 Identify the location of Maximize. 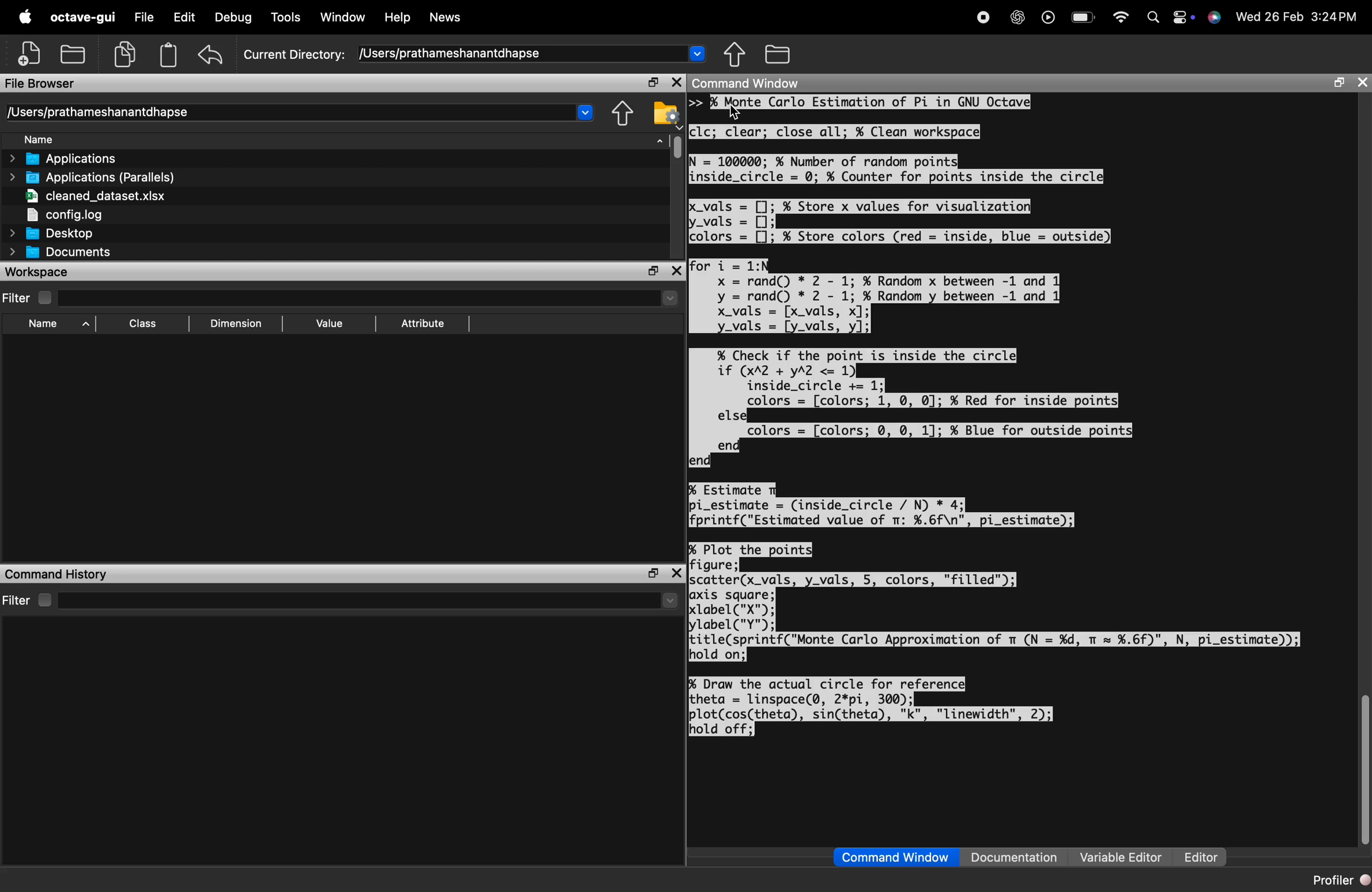
(650, 573).